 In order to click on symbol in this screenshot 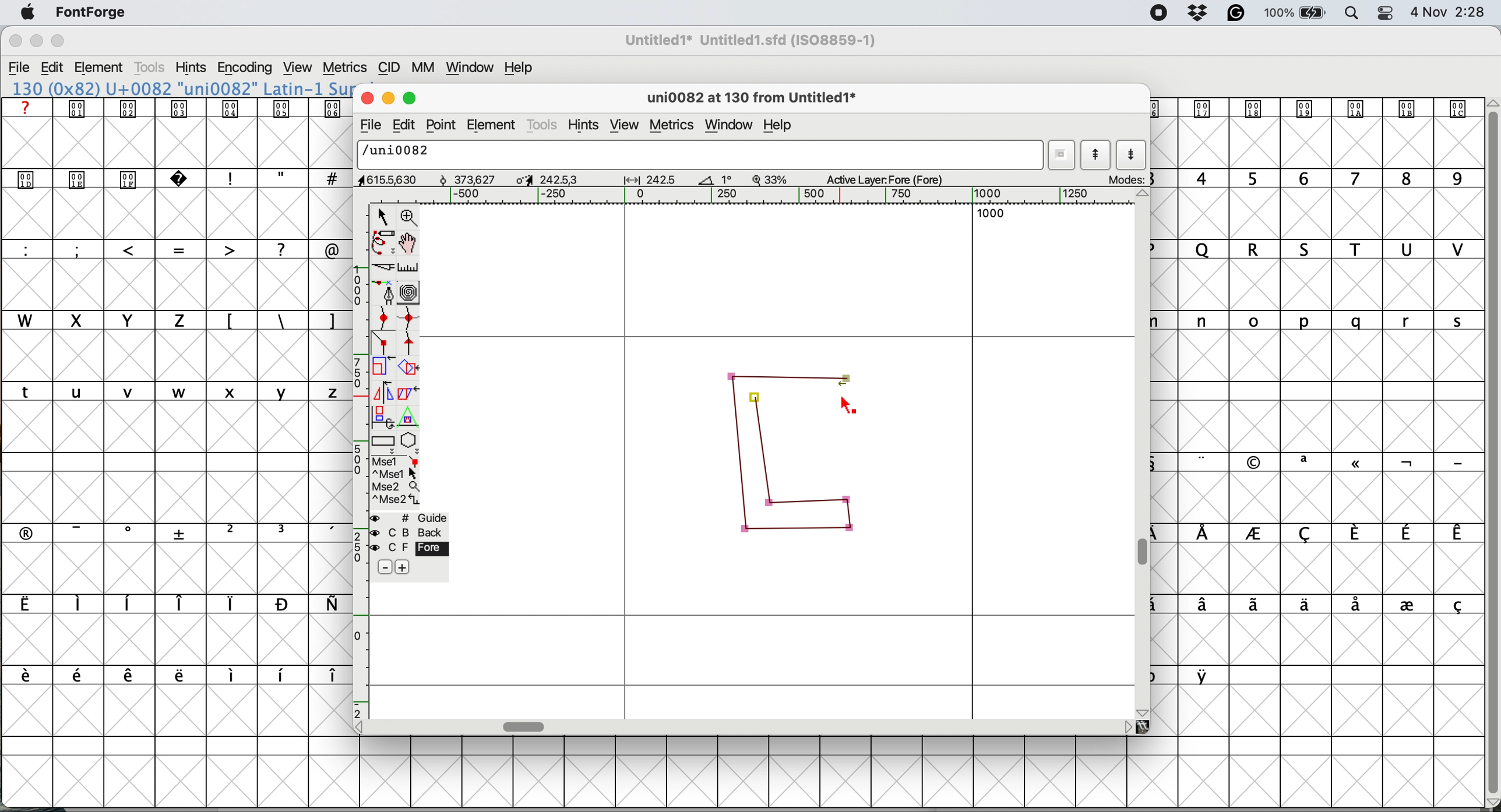, I will do `click(1313, 108)`.